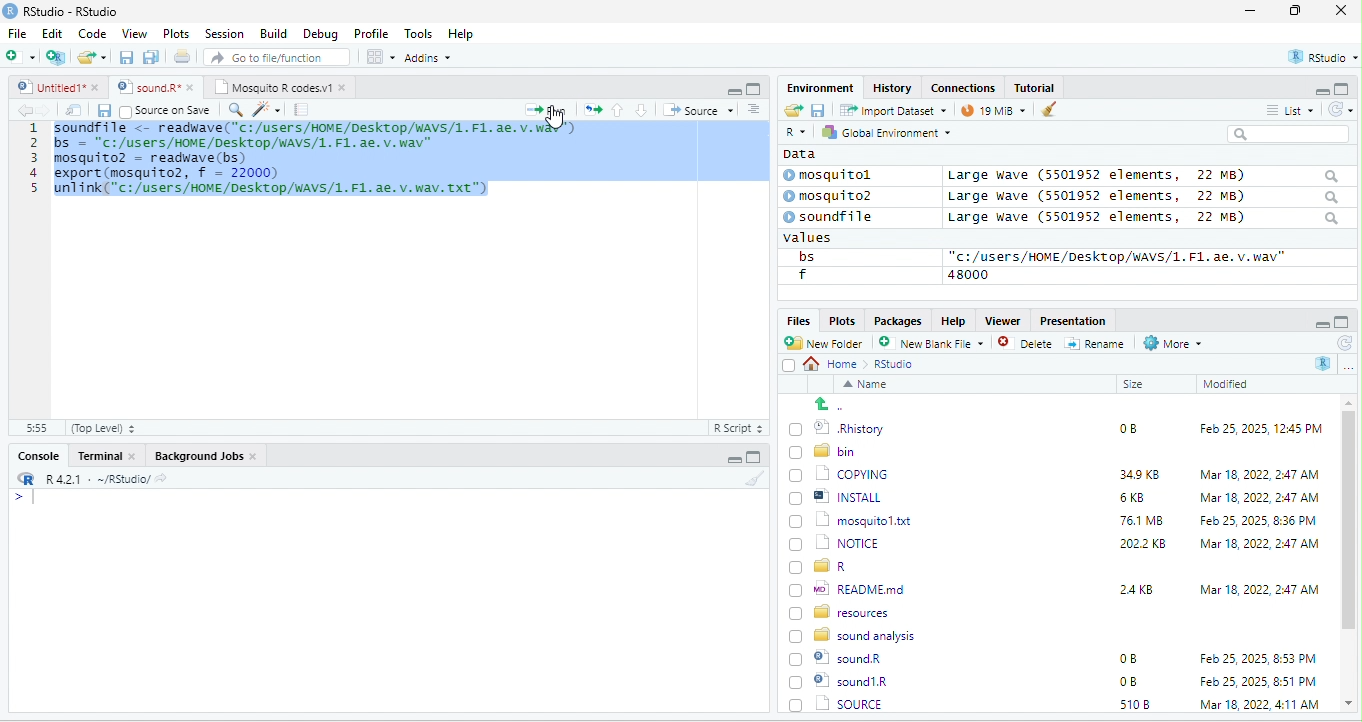 The width and height of the screenshot is (1362, 722). Describe the element at coordinates (842, 660) in the screenshot. I see `© sound1R` at that location.